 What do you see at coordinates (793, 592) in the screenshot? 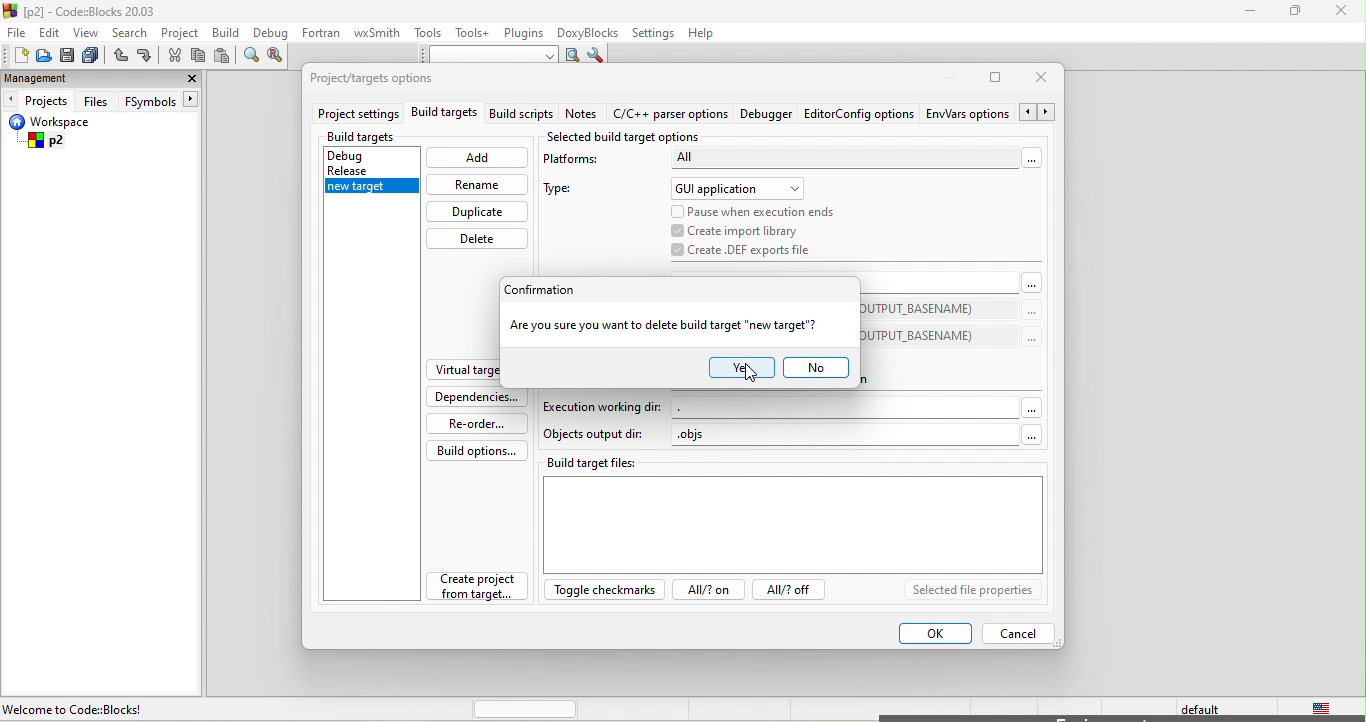
I see `all? off` at bounding box center [793, 592].